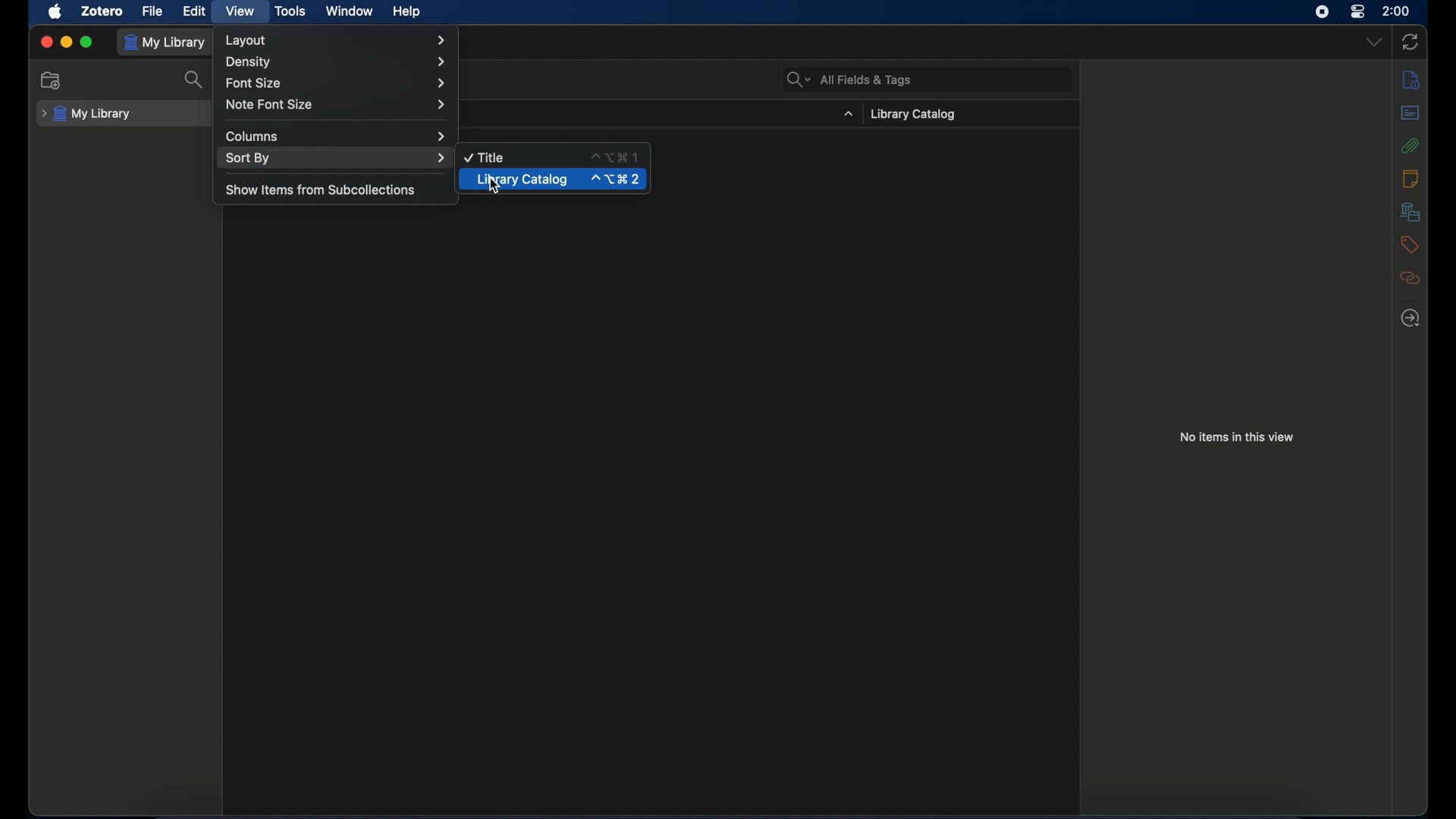  Describe the element at coordinates (322, 191) in the screenshot. I see `show items from subcollections` at that location.